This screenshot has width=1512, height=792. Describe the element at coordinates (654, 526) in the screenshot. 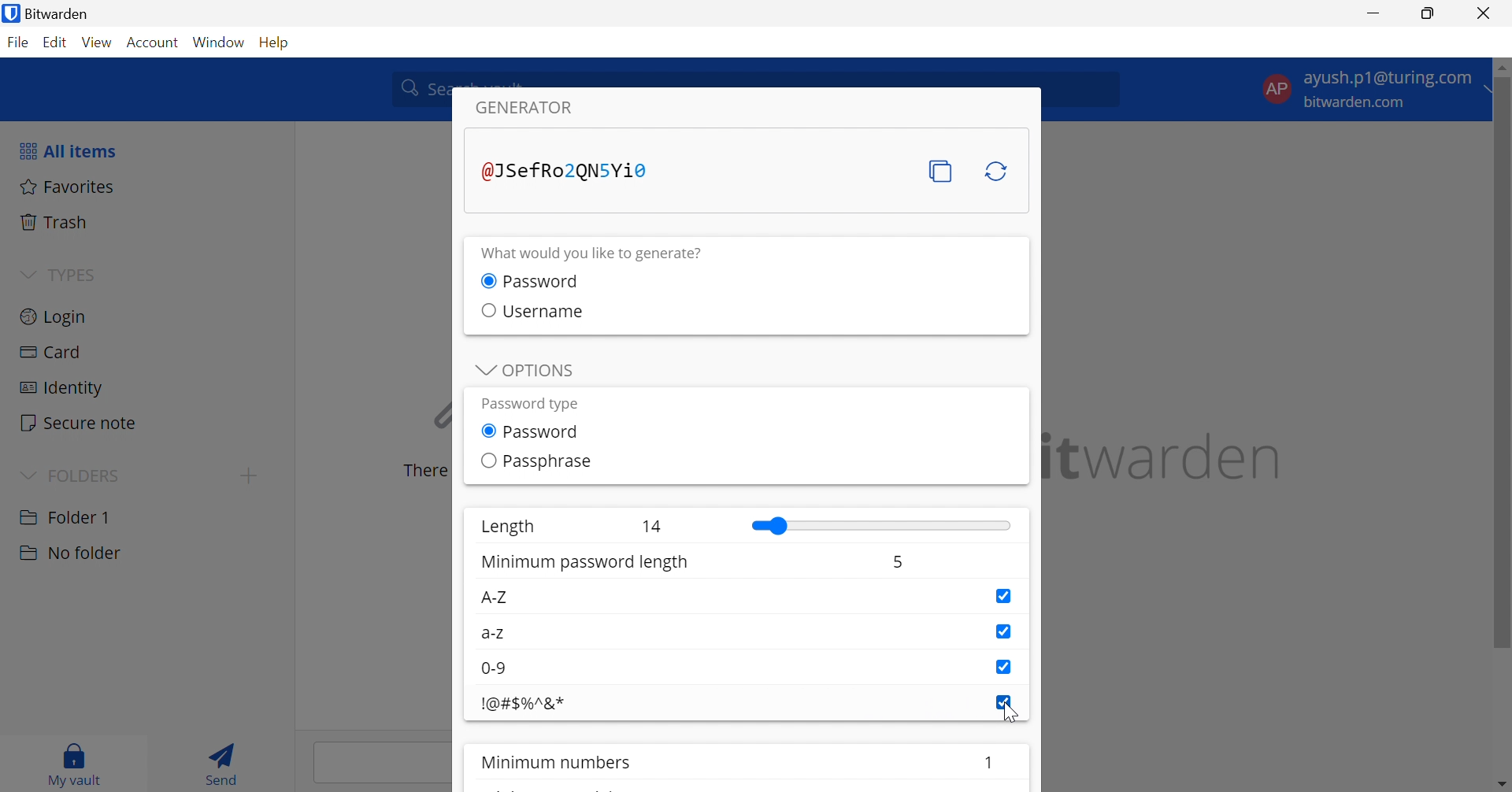

I see `14` at that location.